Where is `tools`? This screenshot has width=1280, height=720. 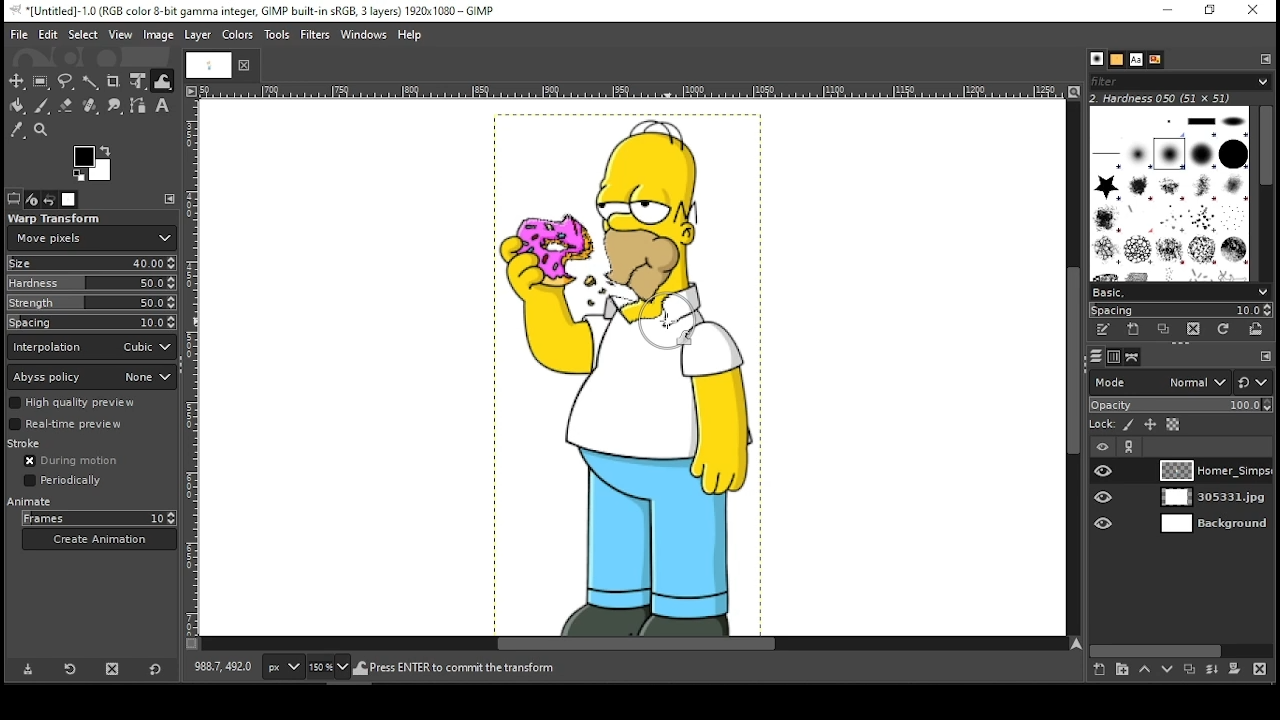
tools is located at coordinates (278, 34).